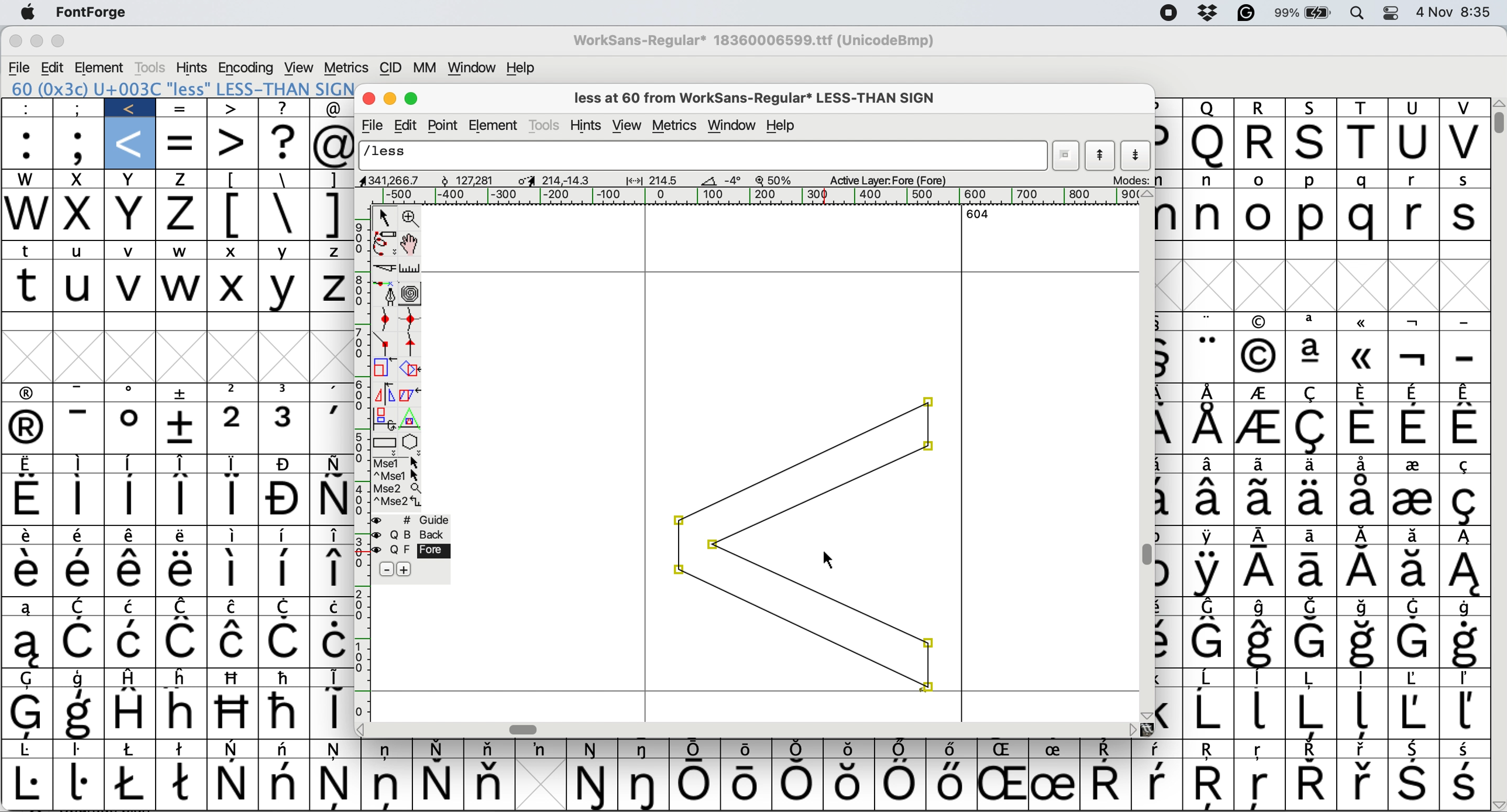 The height and width of the screenshot is (812, 1507). What do you see at coordinates (383, 393) in the screenshot?
I see `flip the selection` at bounding box center [383, 393].